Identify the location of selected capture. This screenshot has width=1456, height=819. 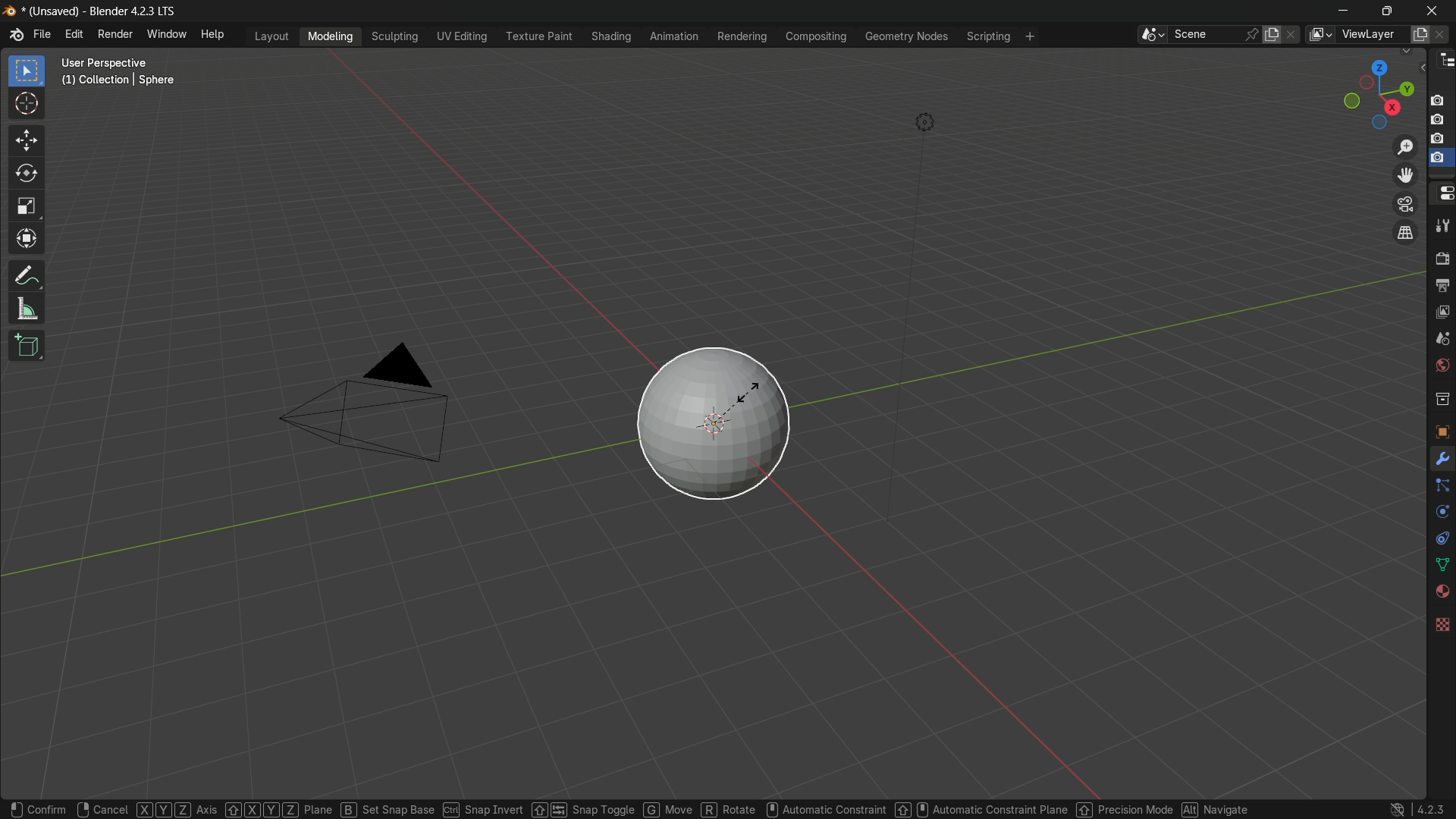
(1439, 162).